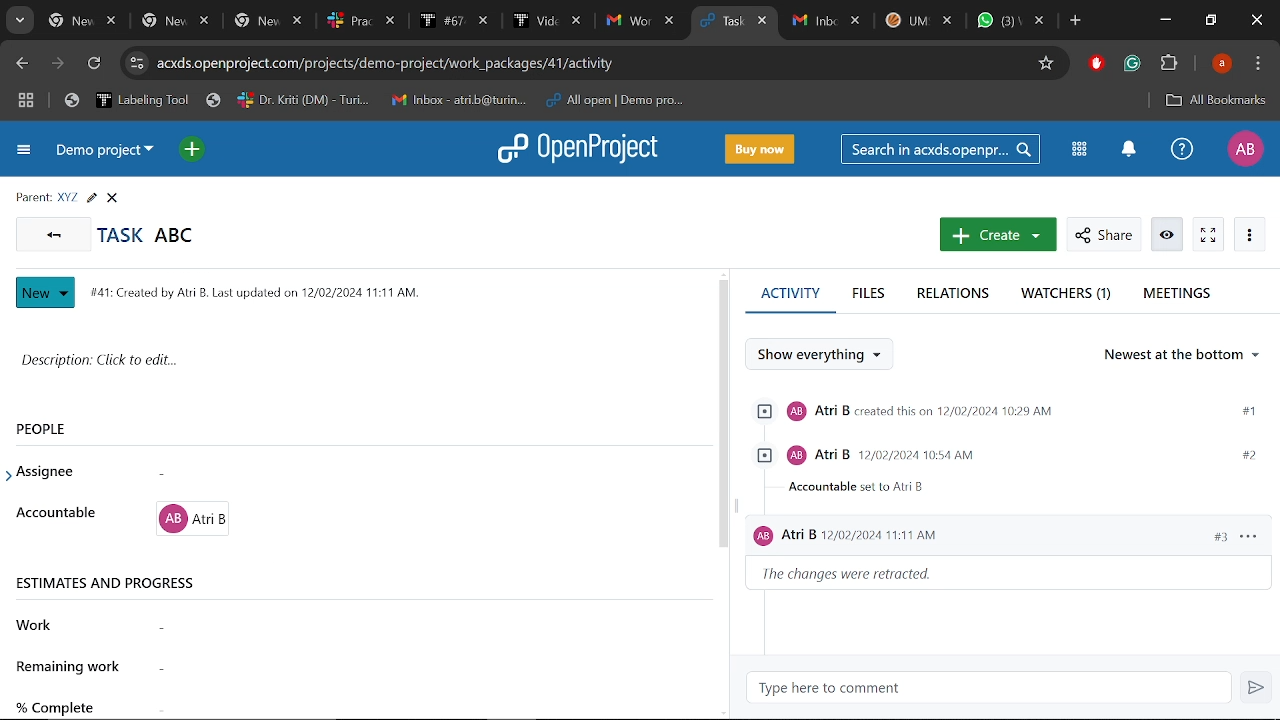 The image size is (1280, 720). I want to click on Previous page, so click(23, 64).